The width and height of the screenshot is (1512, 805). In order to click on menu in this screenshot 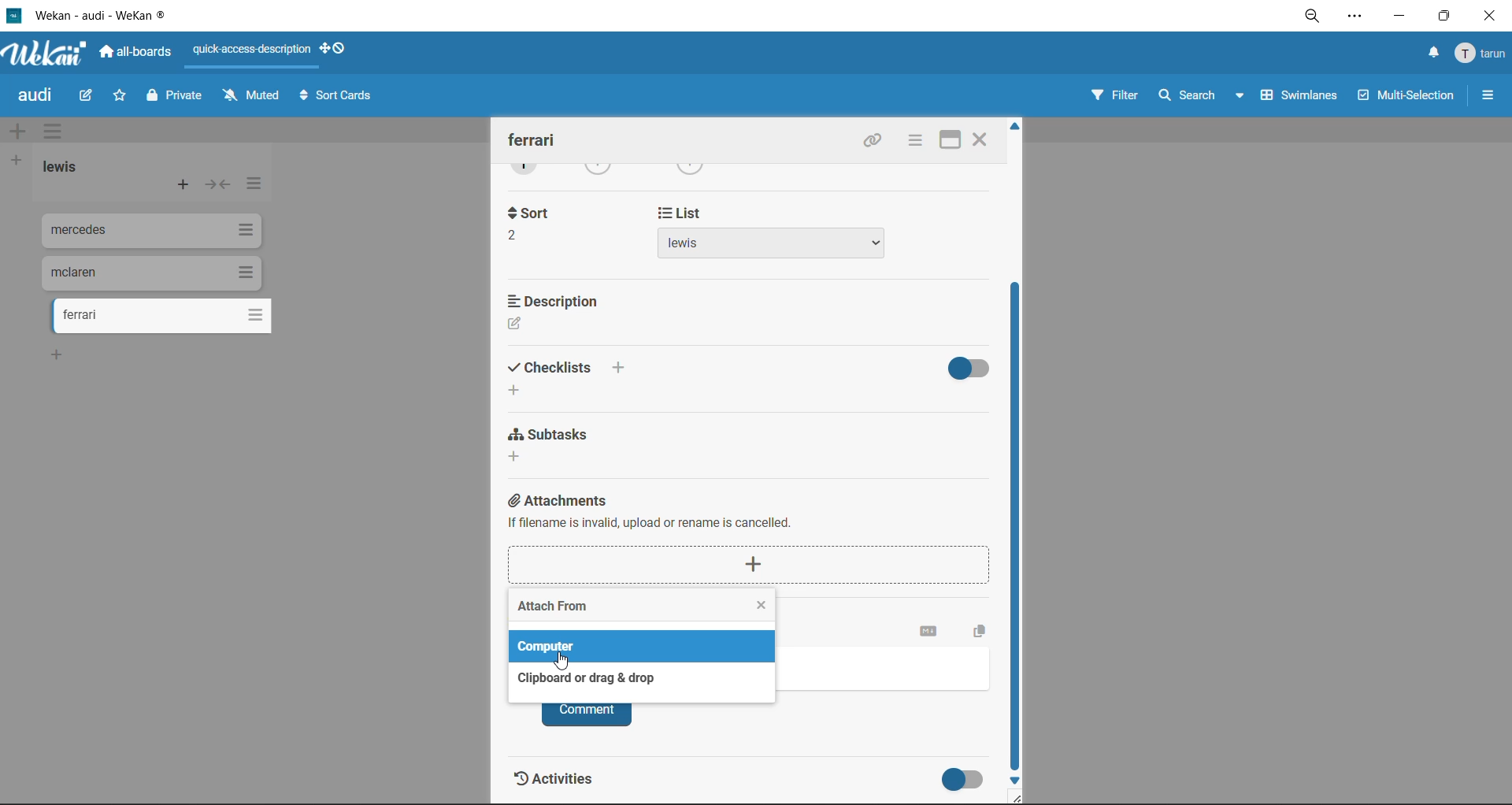, I will do `click(1479, 57)`.